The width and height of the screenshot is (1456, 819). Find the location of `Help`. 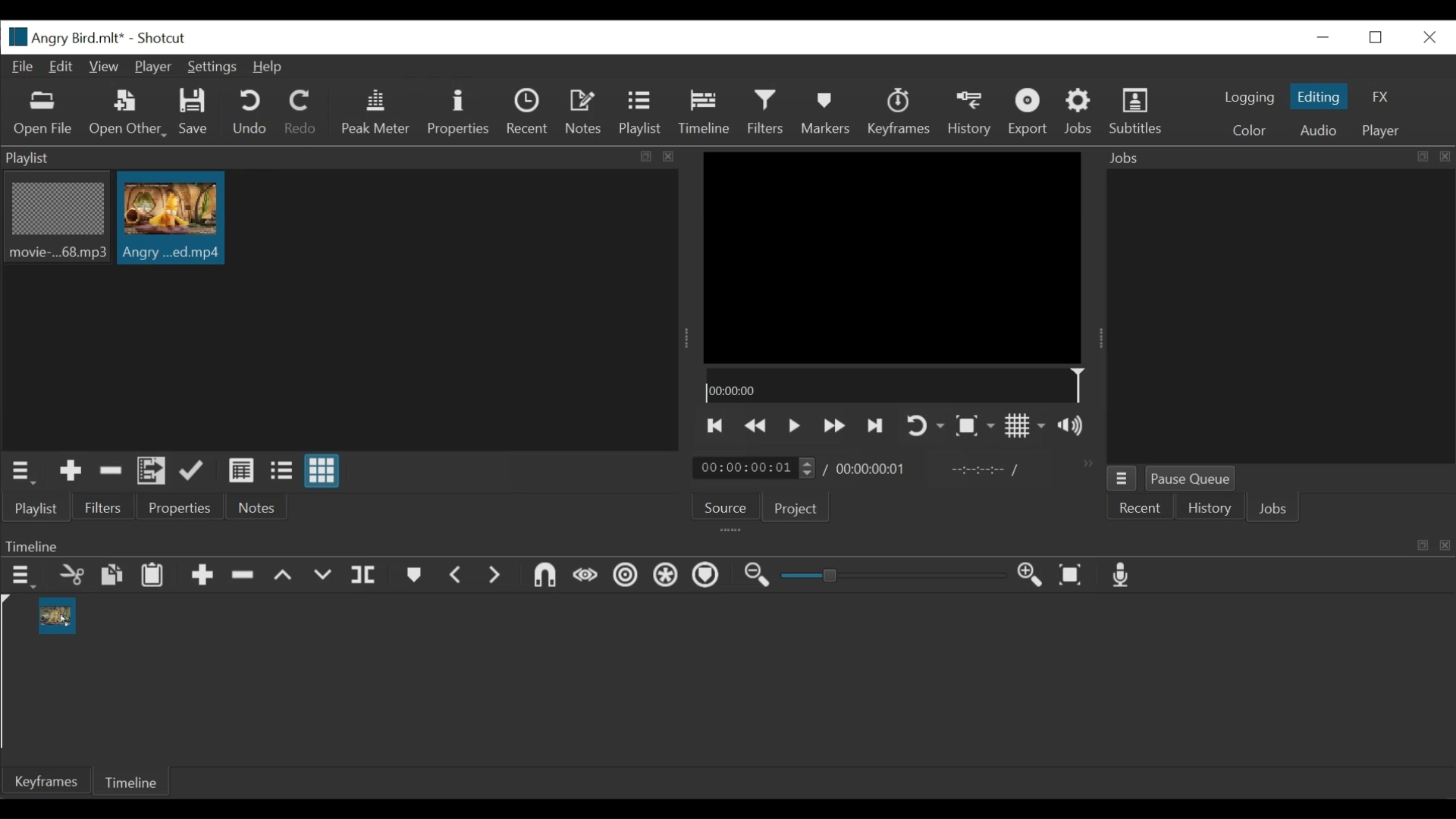

Help is located at coordinates (269, 68).